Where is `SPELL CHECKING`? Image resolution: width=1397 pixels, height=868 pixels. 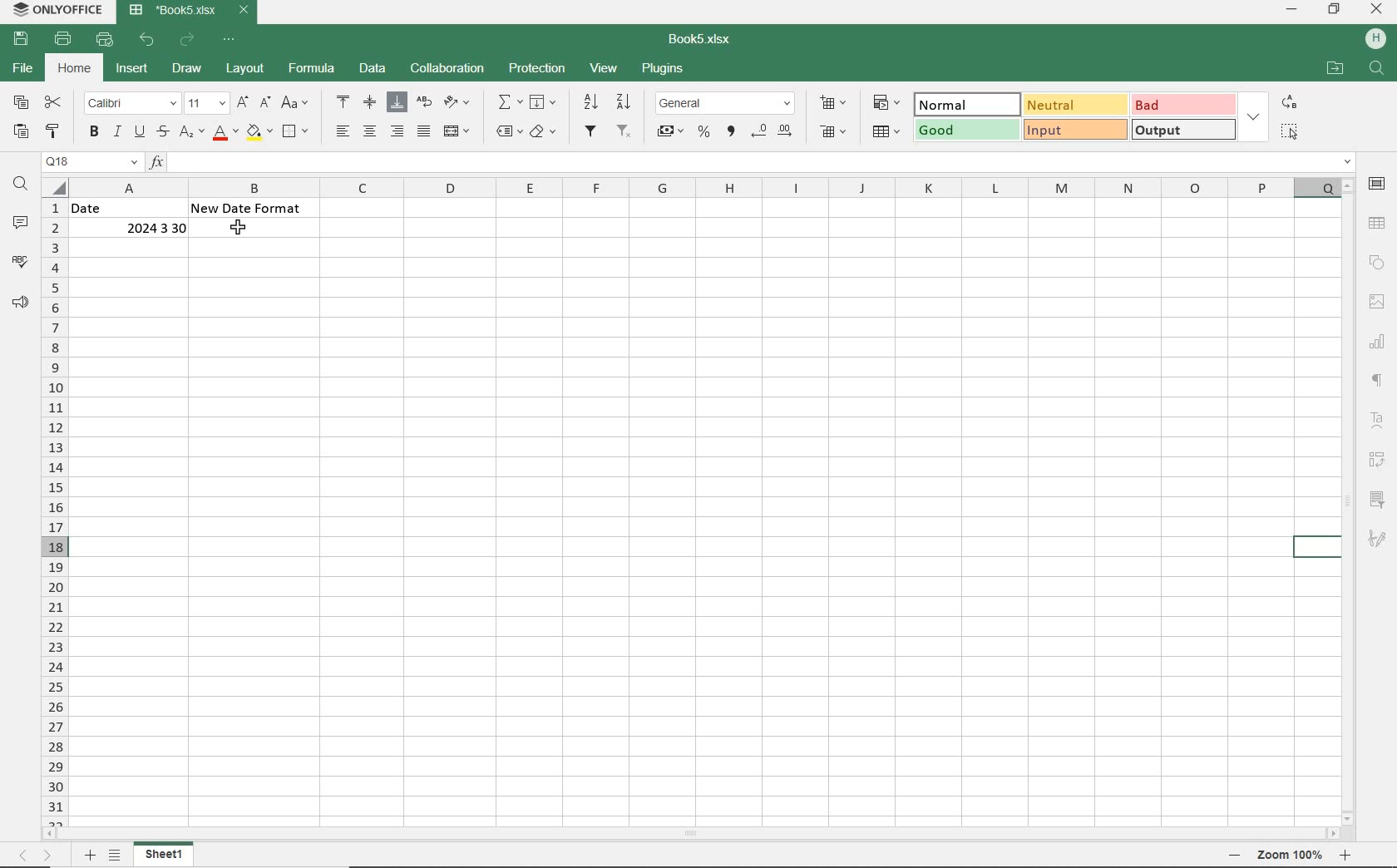 SPELL CHECKING is located at coordinates (21, 262).